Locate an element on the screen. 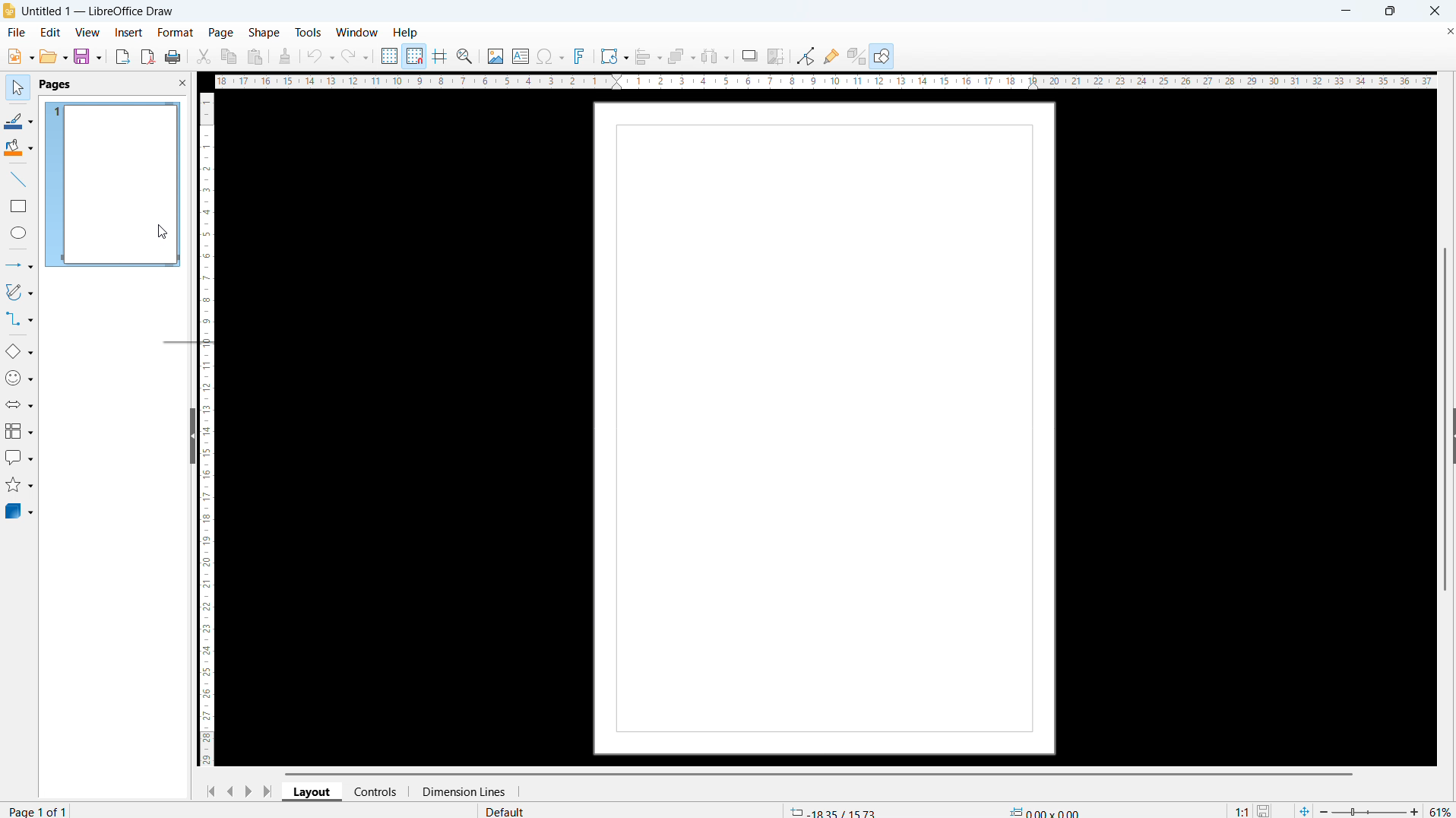  block arrows is located at coordinates (19, 404).